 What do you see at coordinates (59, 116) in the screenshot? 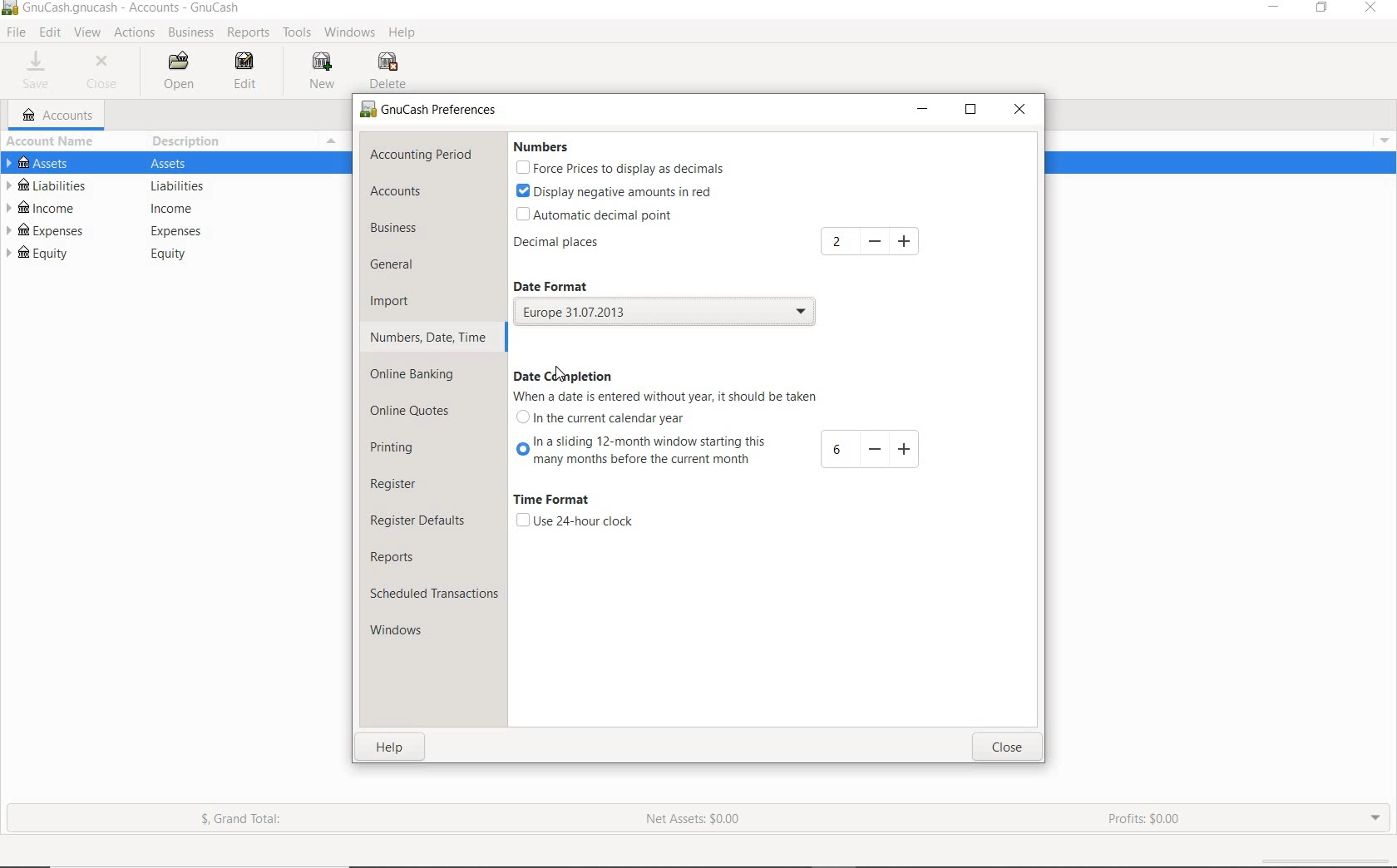
I see `ACCOUNTS` at bounding box center [59, 116].